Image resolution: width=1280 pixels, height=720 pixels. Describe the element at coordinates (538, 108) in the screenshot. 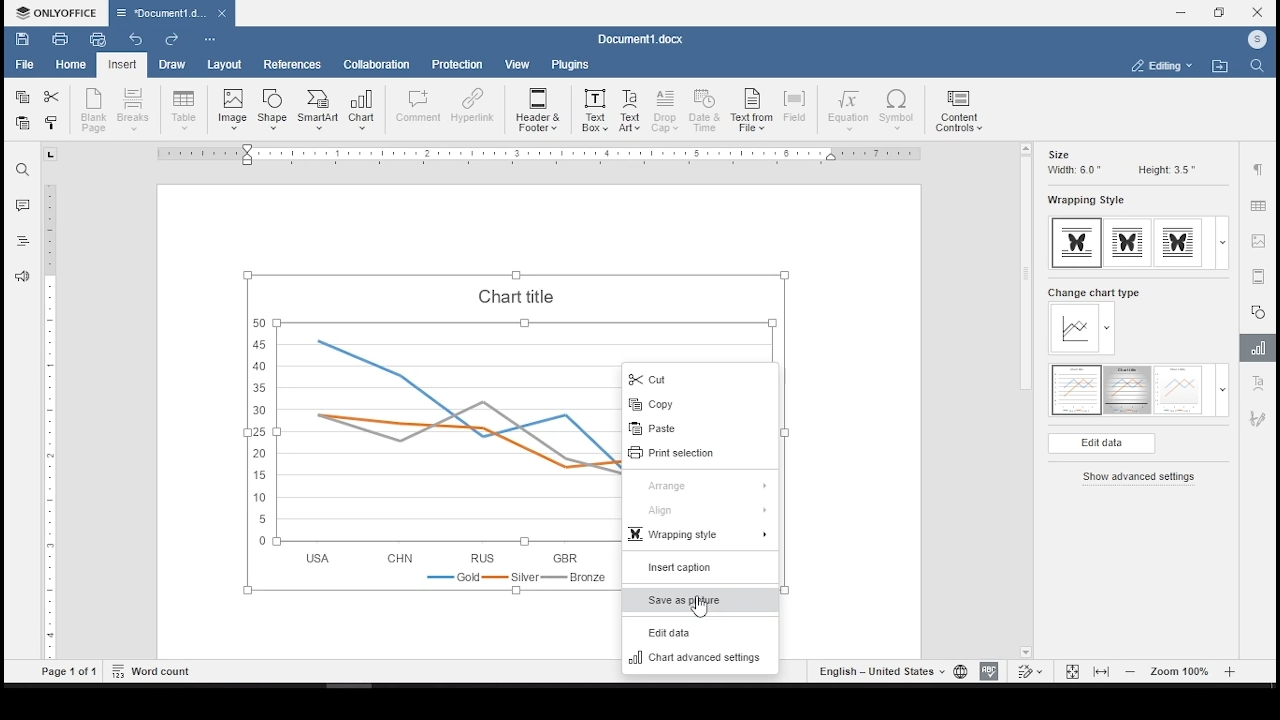

I see `header & footer` at that location.